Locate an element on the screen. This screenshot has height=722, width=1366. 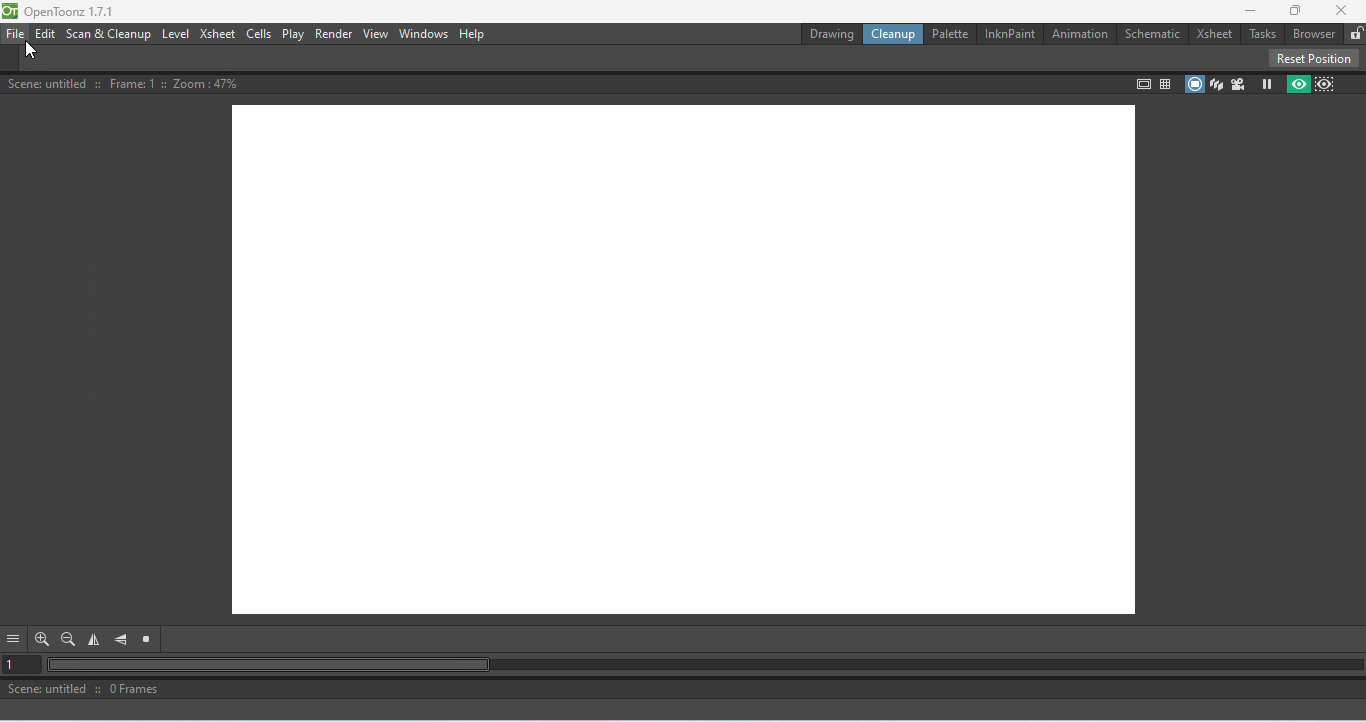
Render is located at coordinates (333, 35).